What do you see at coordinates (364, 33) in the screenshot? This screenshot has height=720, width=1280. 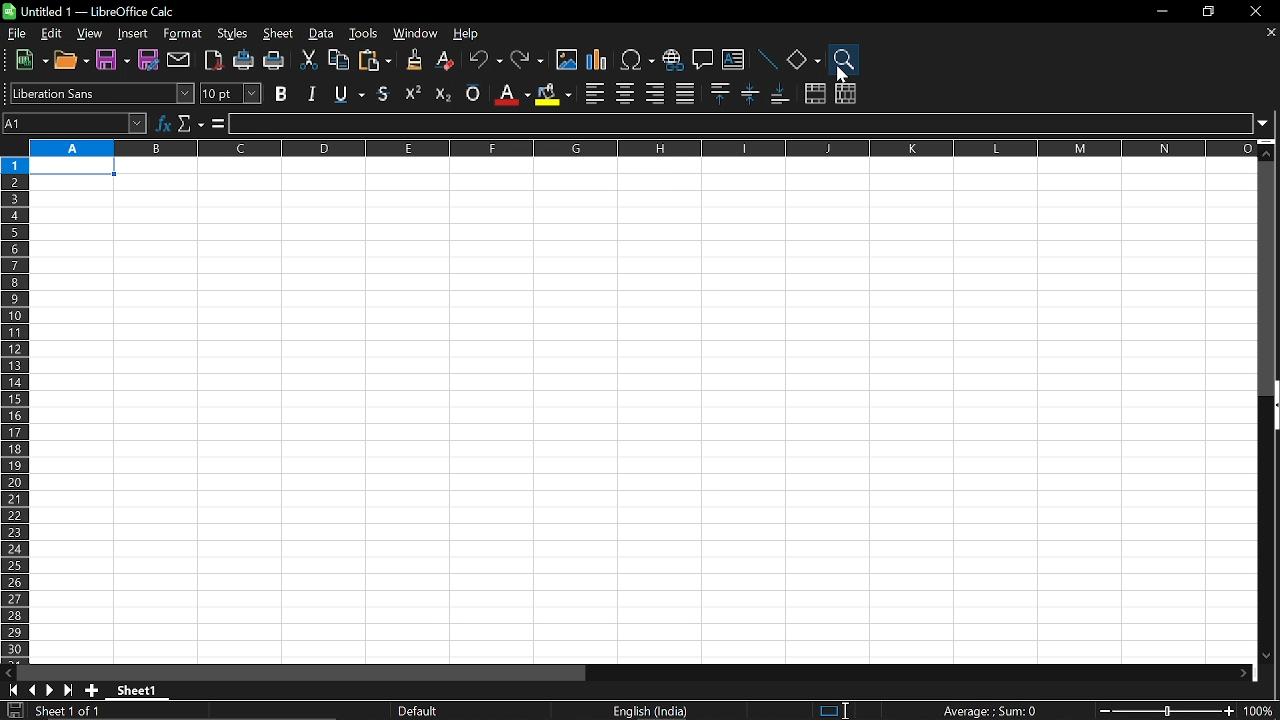 I see `tools` at bounding box center [364, 33].